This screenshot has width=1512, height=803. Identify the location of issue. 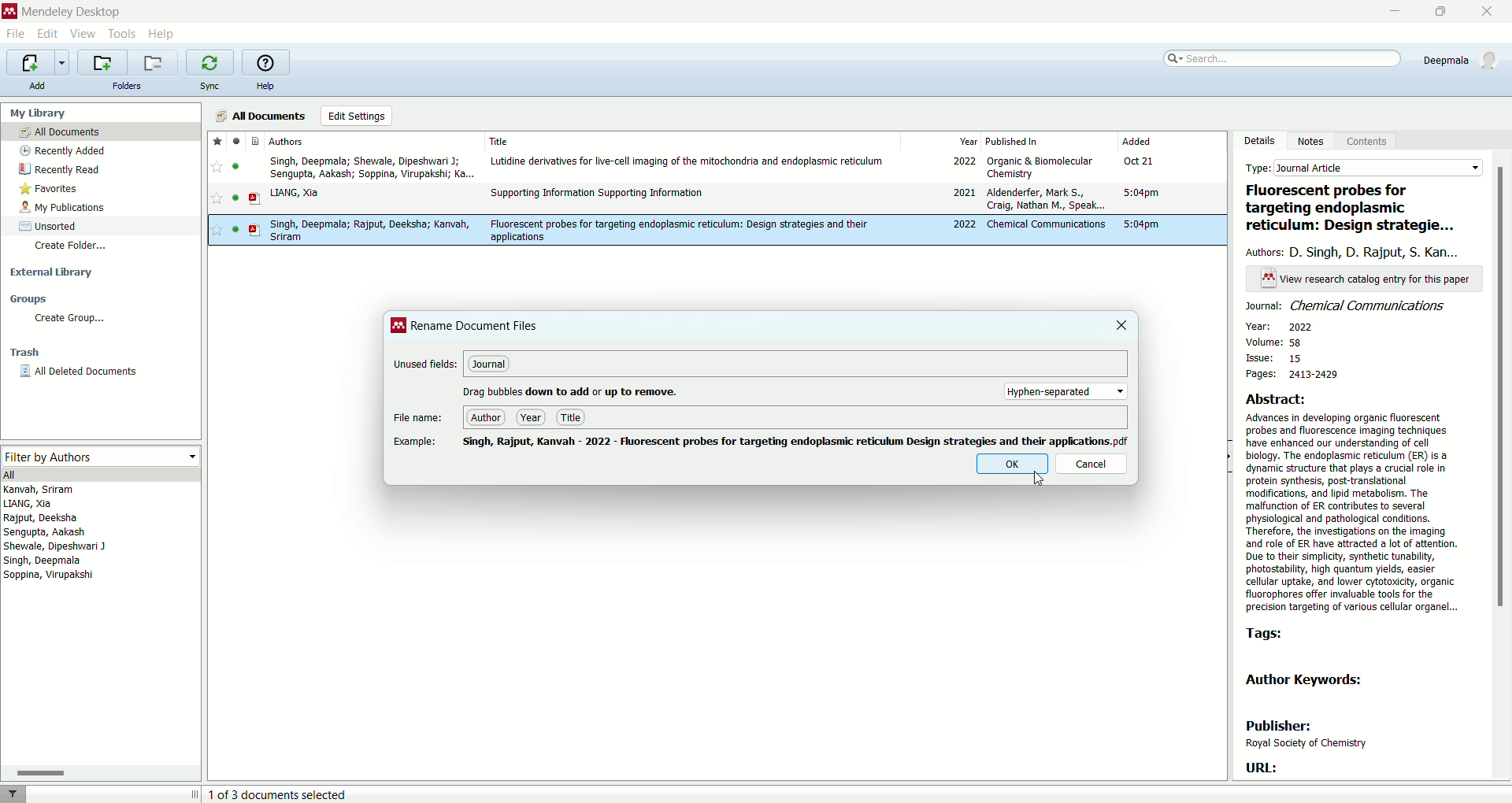
(1273, 359).